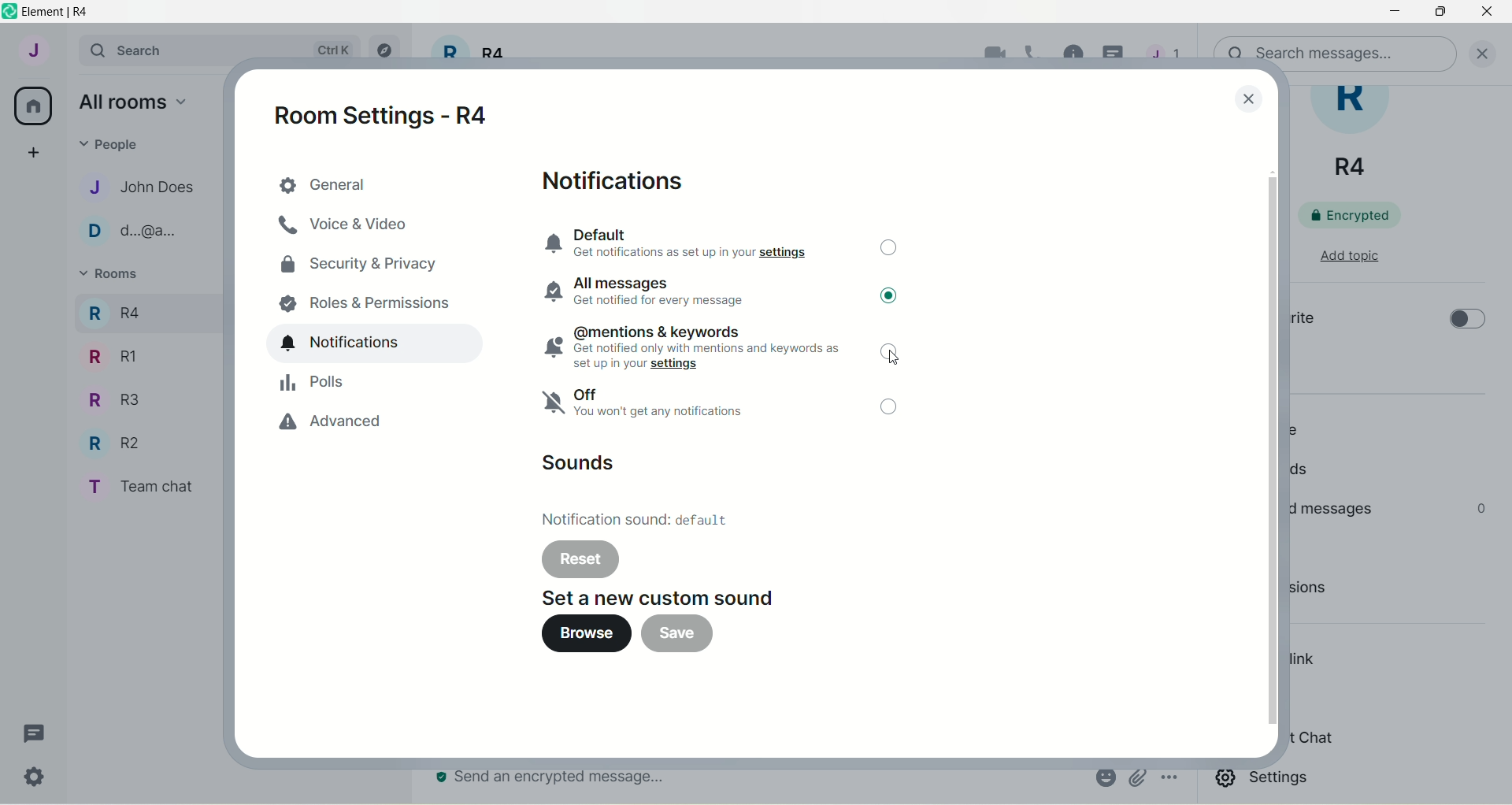 This screenshot has height=805, width=1512. What do you see at coordinates (115, 143) in the screenshot?
I see `people` at bounding box center [115, 143].